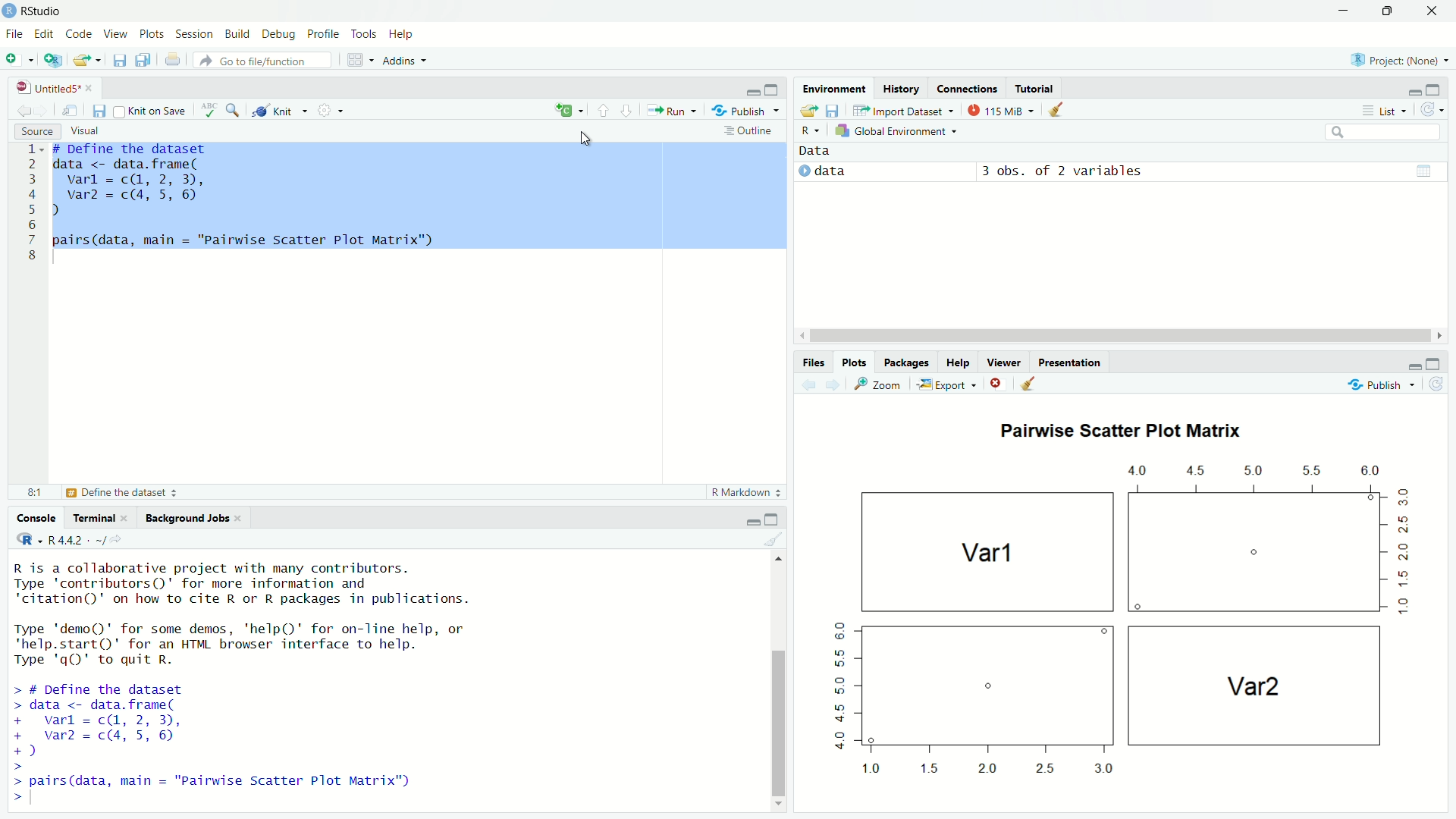 The height and width of the screenshot is (819, 1456). What do you see at coordinates (567, 111) in the screenshot?
I see `C` at bounding box center [567, 111].